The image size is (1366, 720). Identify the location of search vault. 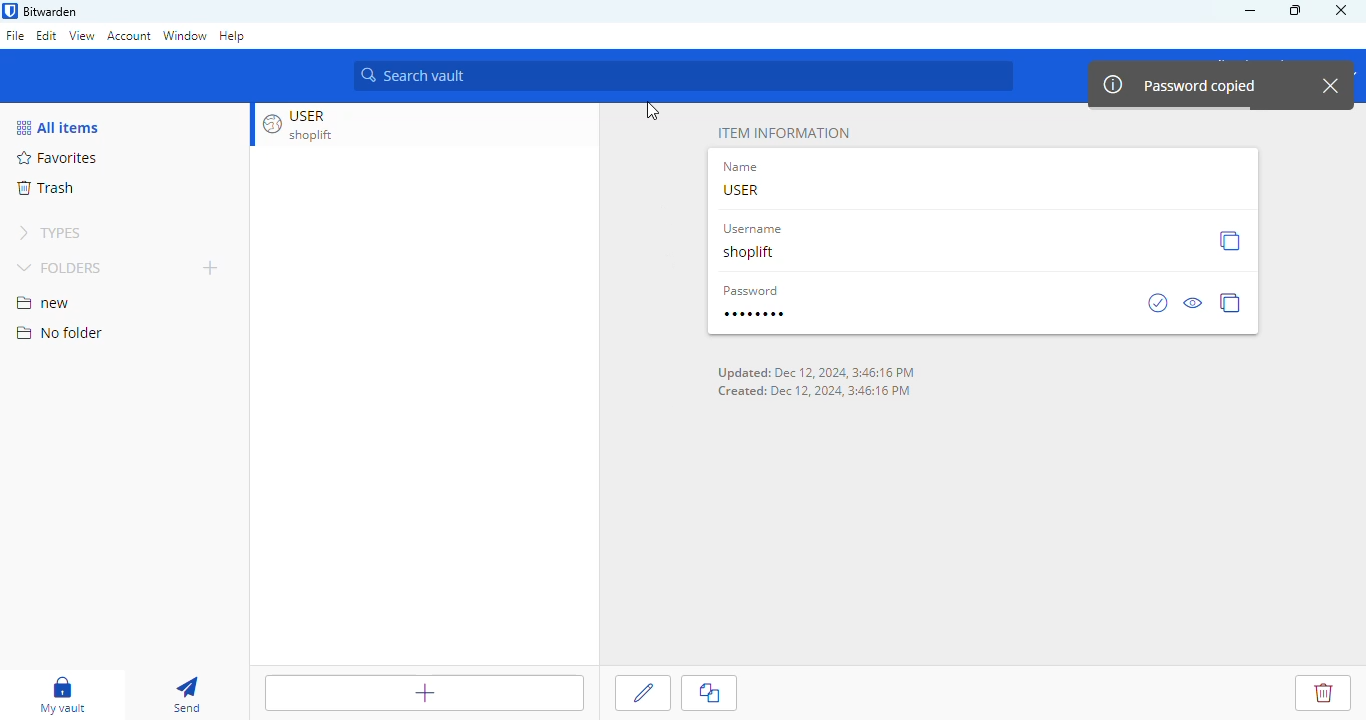
(686, 73).